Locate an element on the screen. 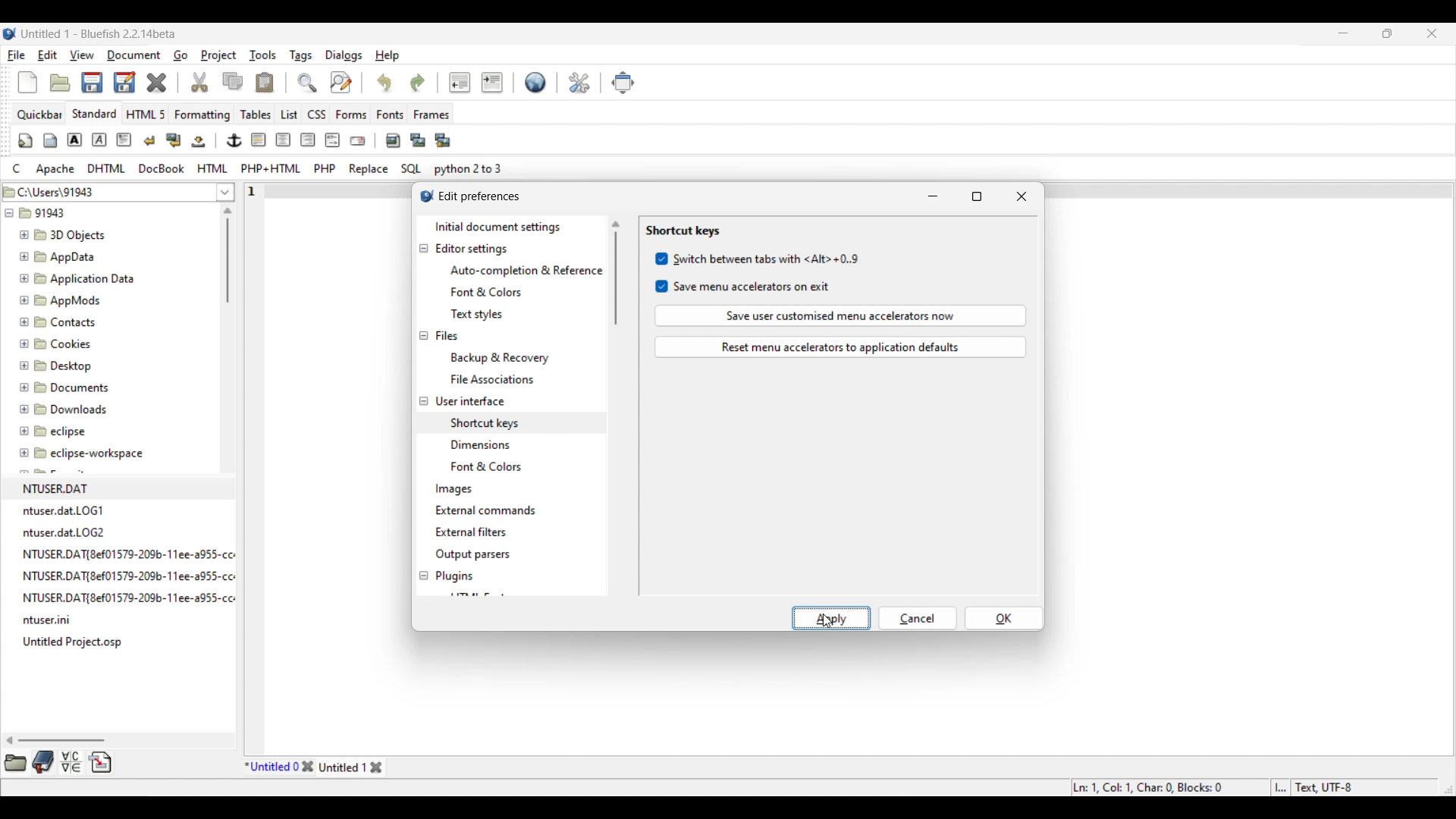 This screenshot has height=819, width=1456. Switch between tabs with <Alt>+0.9 is located at coordinates (758, 259).